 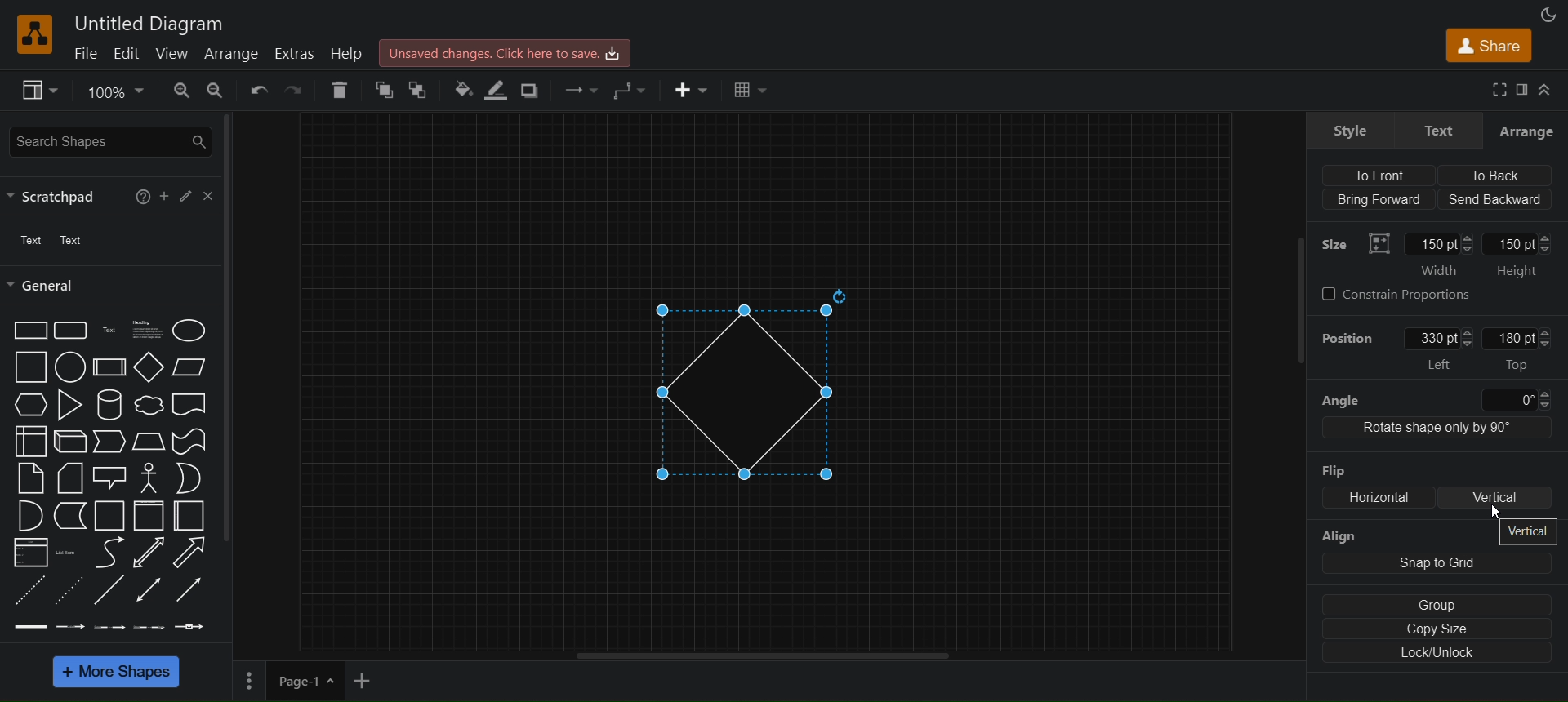 I want to click on and, so click(x=26, y=515).